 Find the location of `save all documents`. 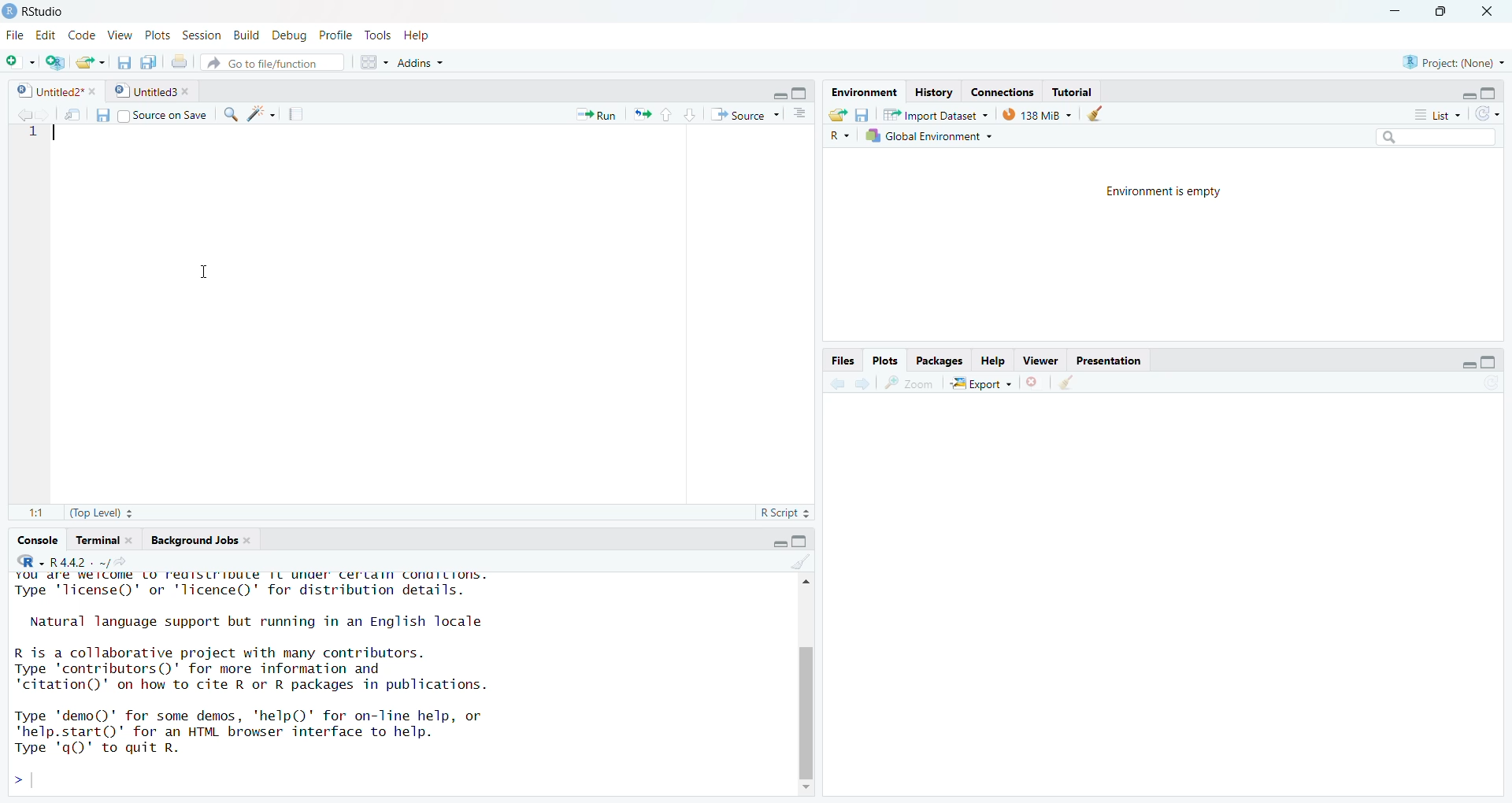

save all documents is located at coordinates (124, 59).